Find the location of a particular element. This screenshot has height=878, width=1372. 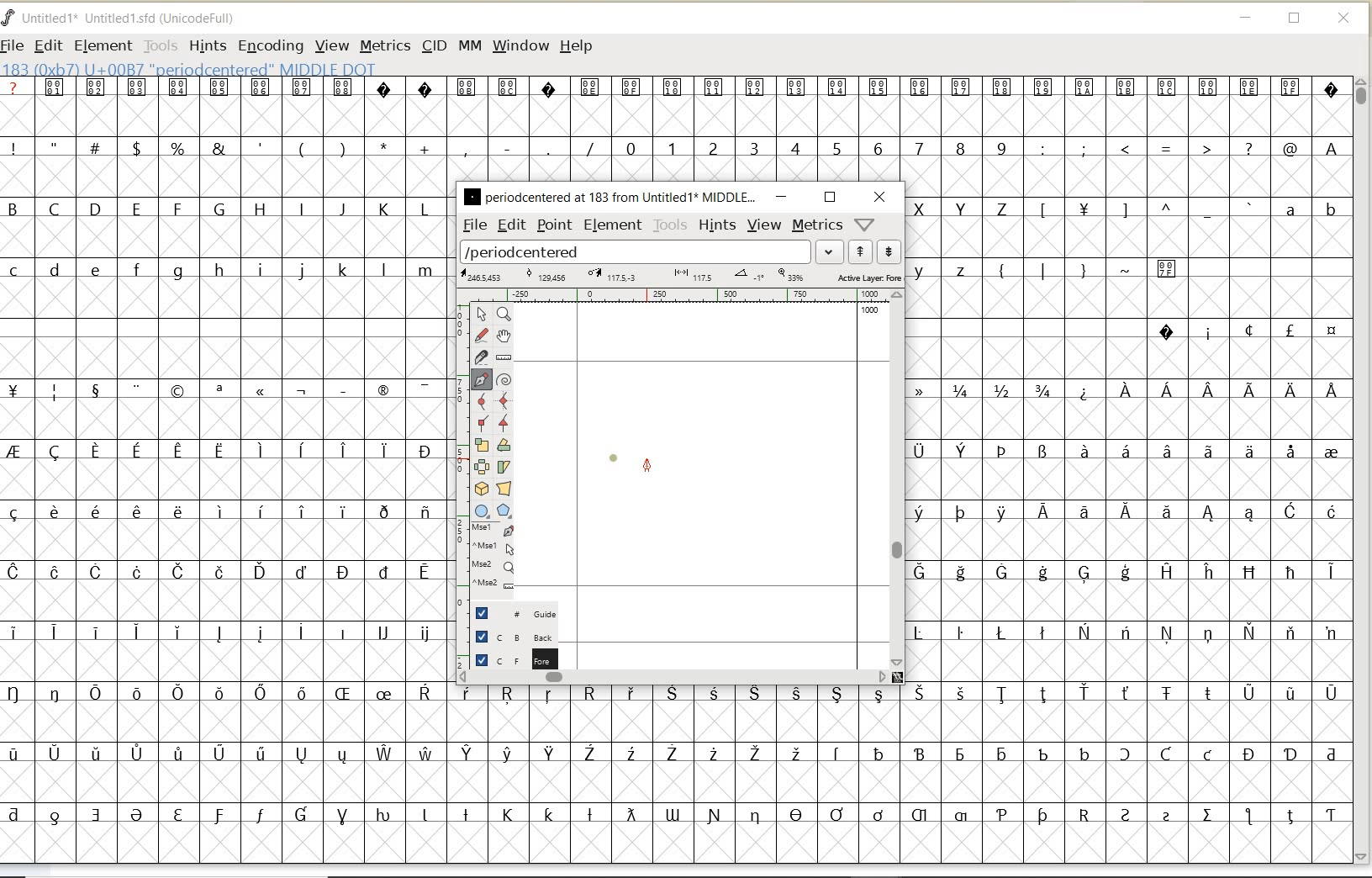

FontForge Logo is located at coordinates (9, 16).